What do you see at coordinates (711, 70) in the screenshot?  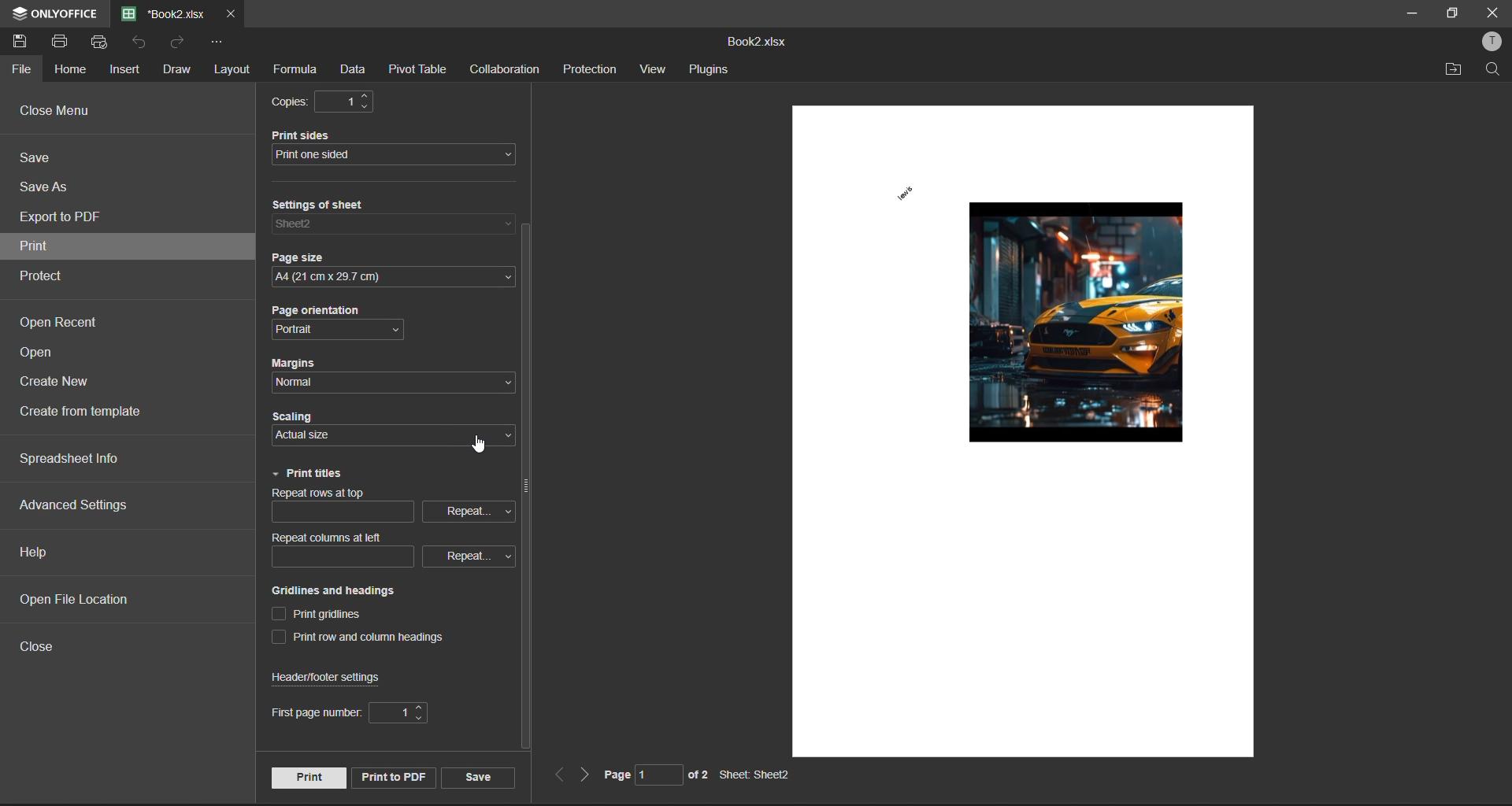 I see `plugins` at bounding box center [711, 70].